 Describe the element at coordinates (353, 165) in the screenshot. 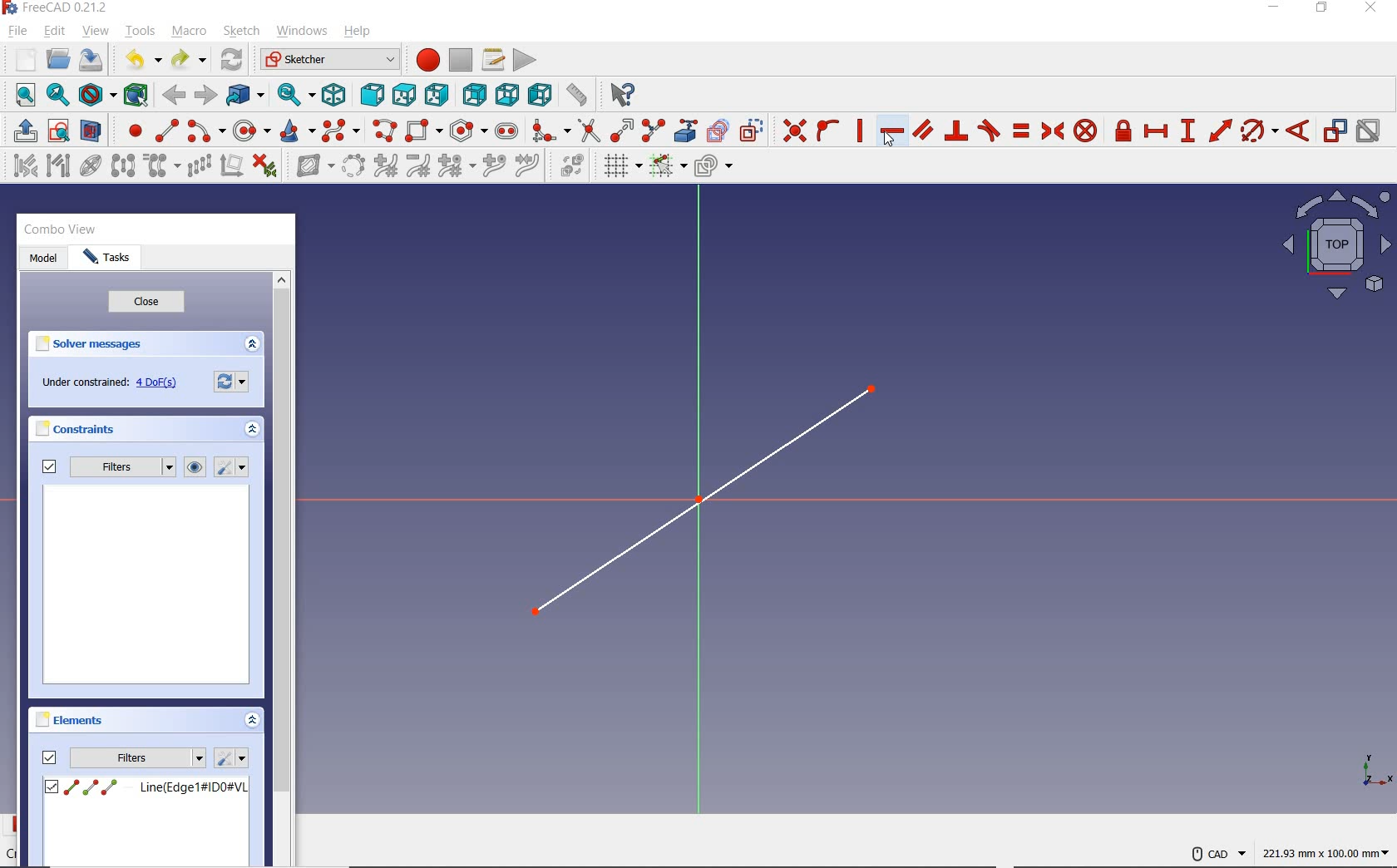

I see `CONVERT GEOMETRY TO B-SPLINE` at that location.